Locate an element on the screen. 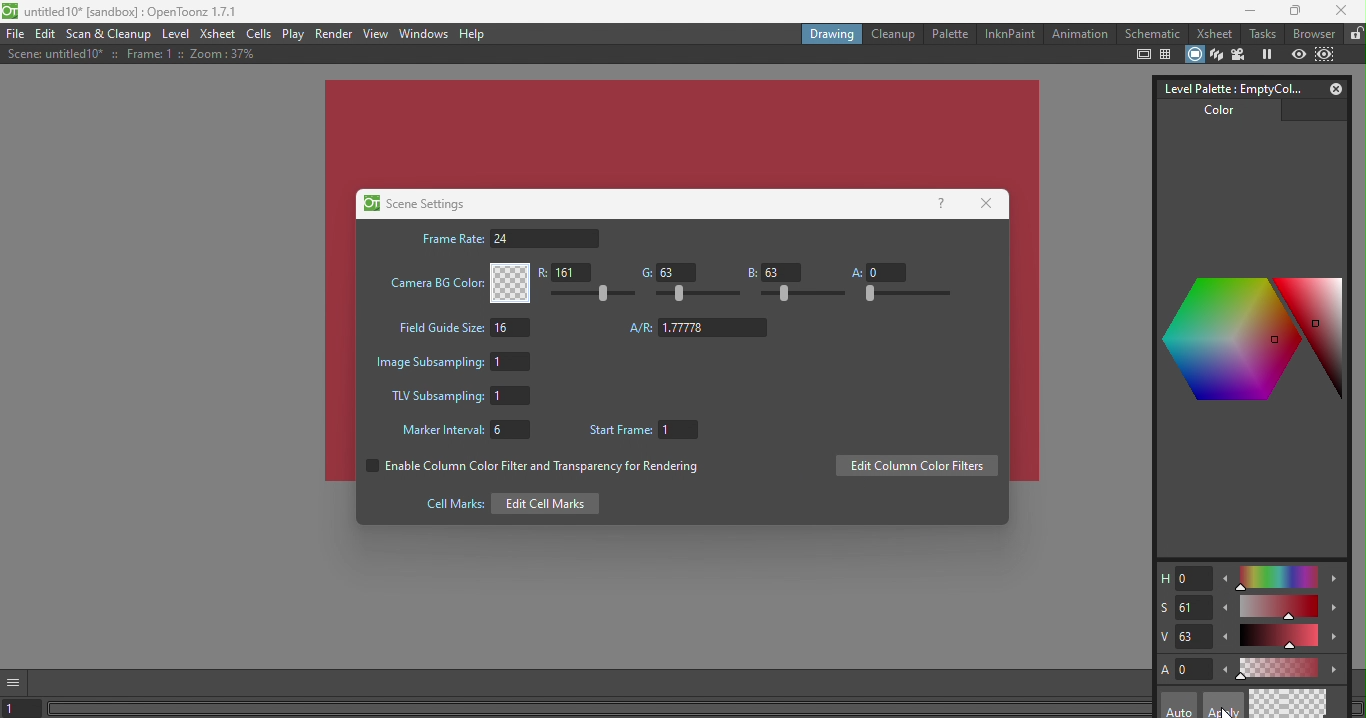 The width and height of the screenshot is (1366, 718). Freeze is located at coordinates (1267, 55).